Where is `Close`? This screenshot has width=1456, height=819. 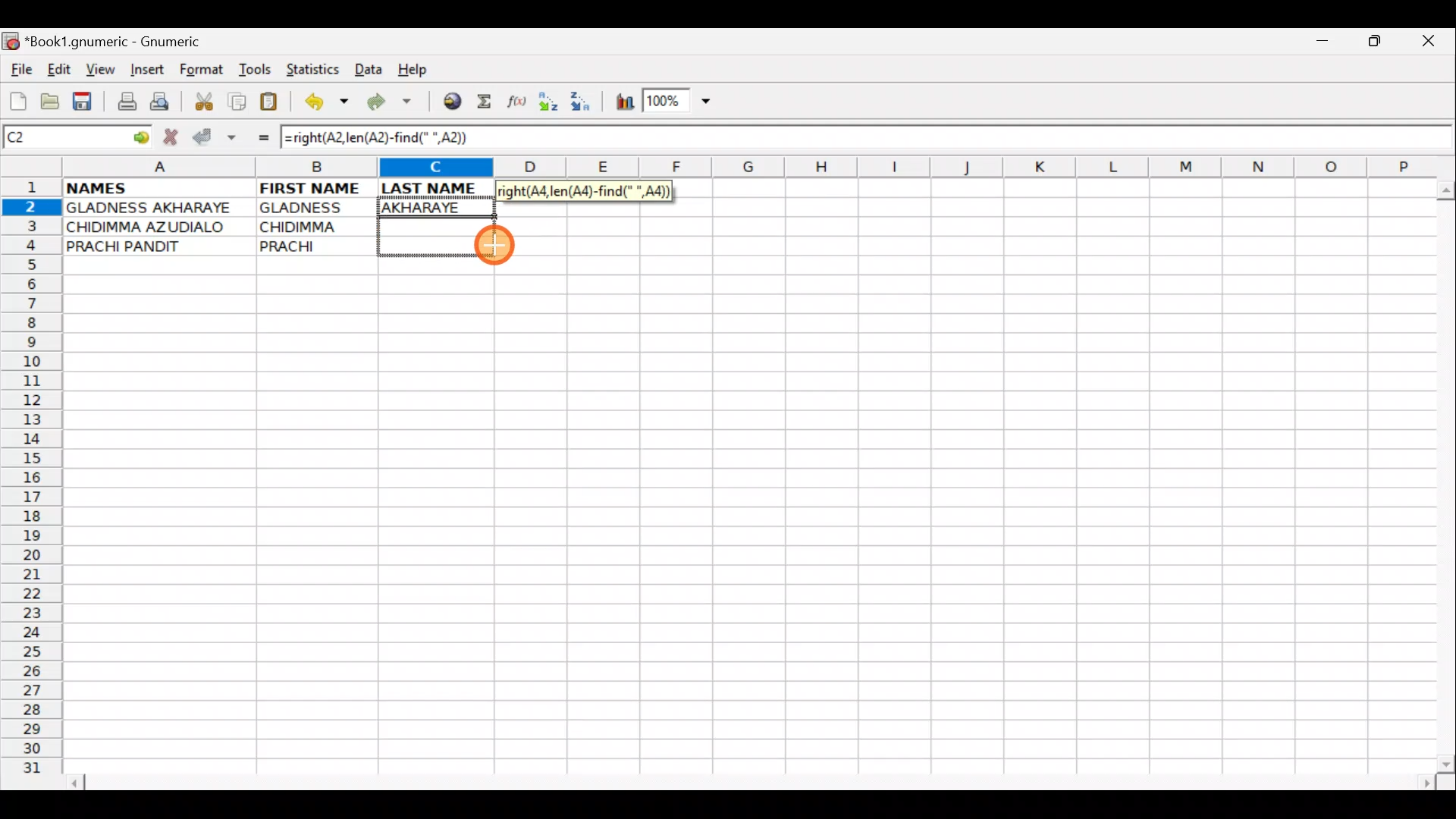
Close is located at coordinates (1432, 45).